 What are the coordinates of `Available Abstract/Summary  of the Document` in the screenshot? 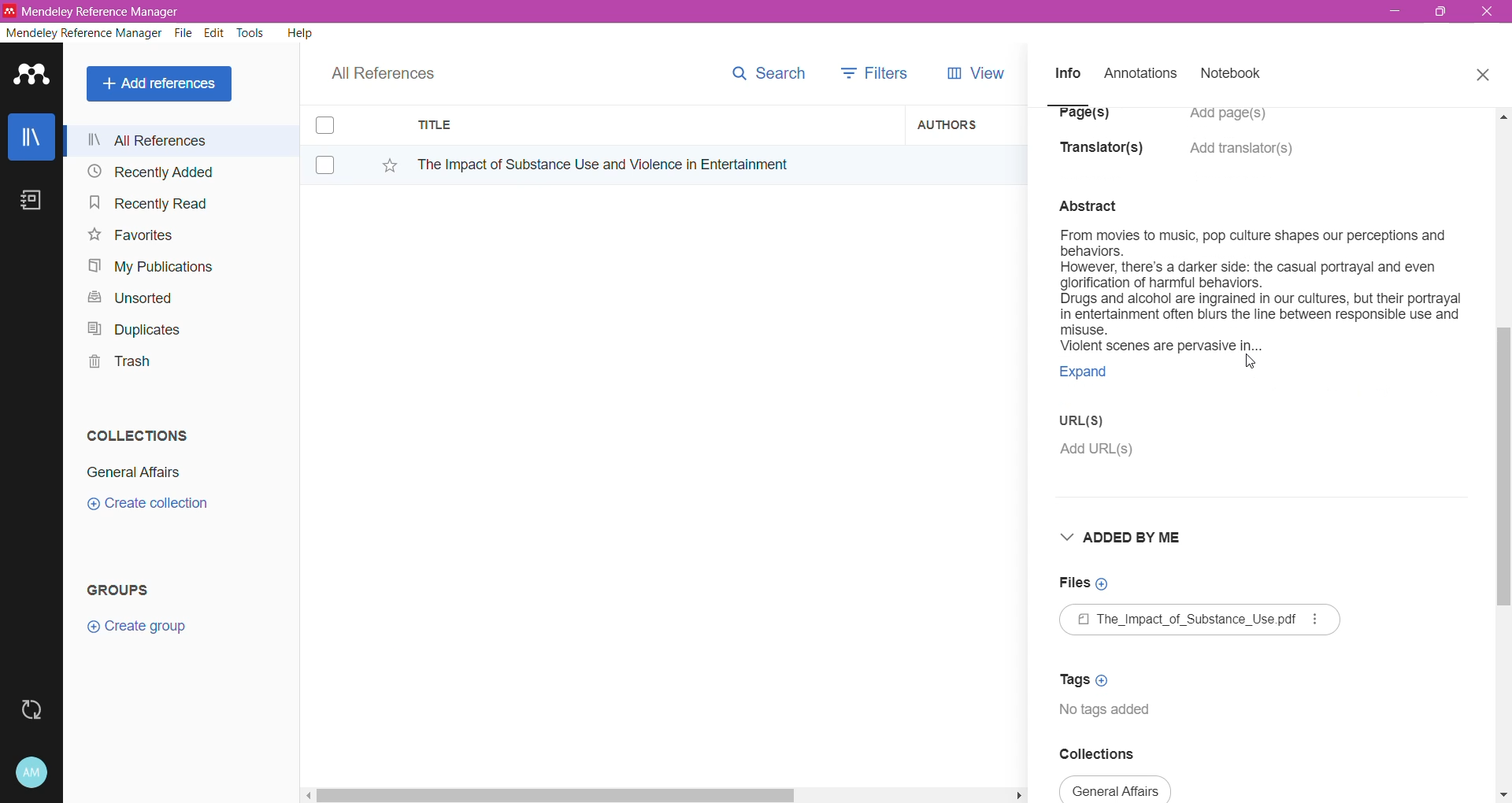 It's located at (1259, 278).